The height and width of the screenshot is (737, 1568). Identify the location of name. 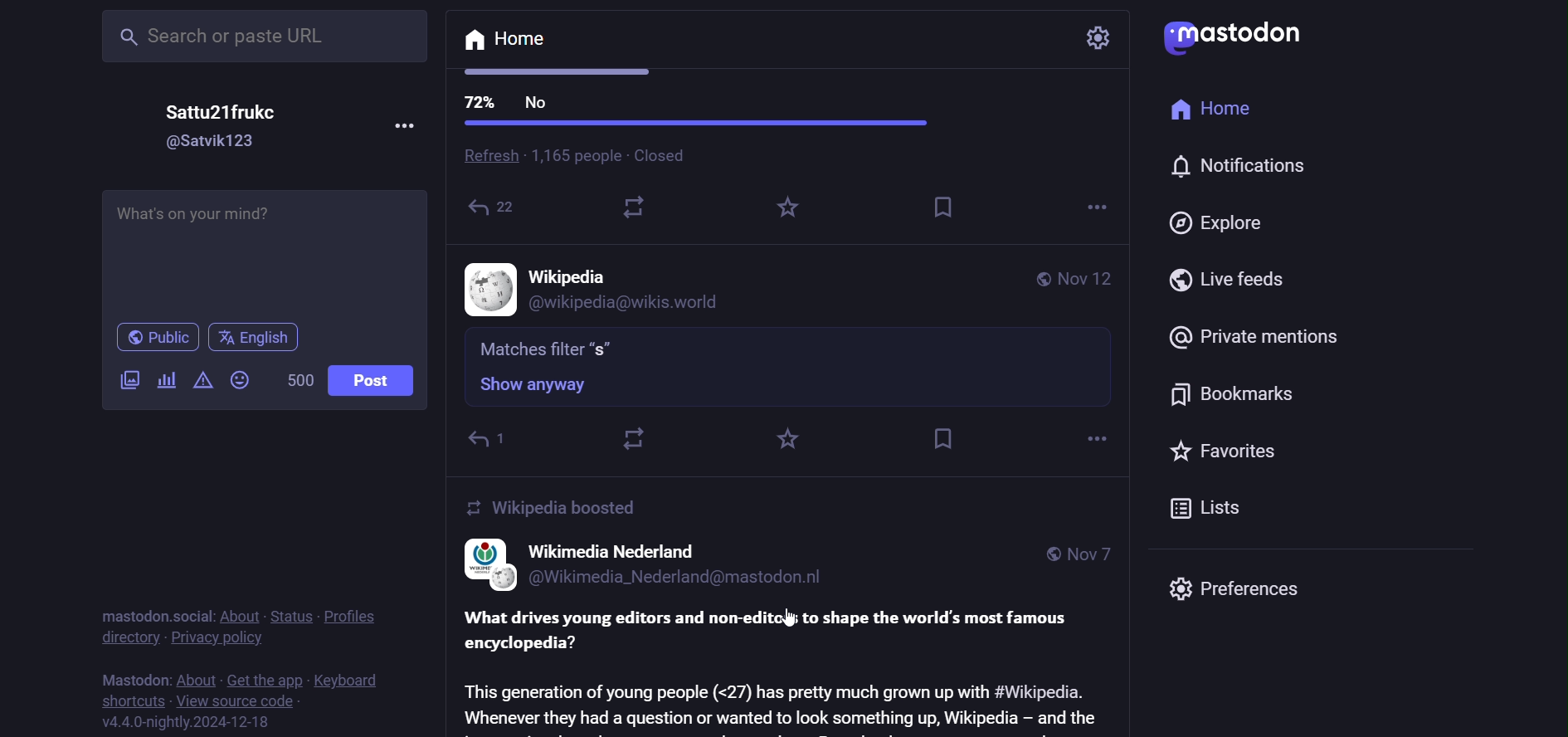
(221, 110).